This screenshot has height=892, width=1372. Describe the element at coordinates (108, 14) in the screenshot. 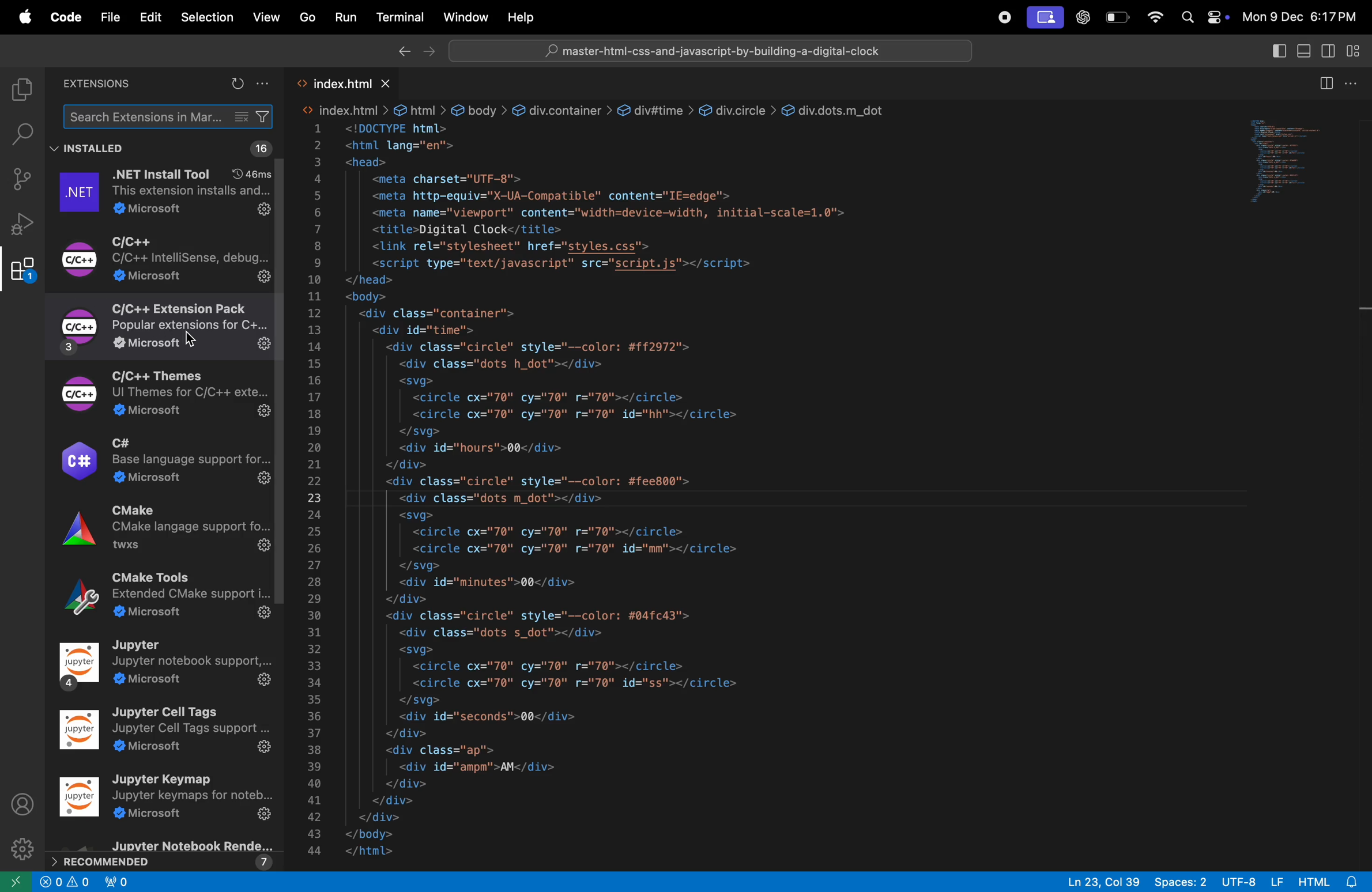

I see `file` at that location.